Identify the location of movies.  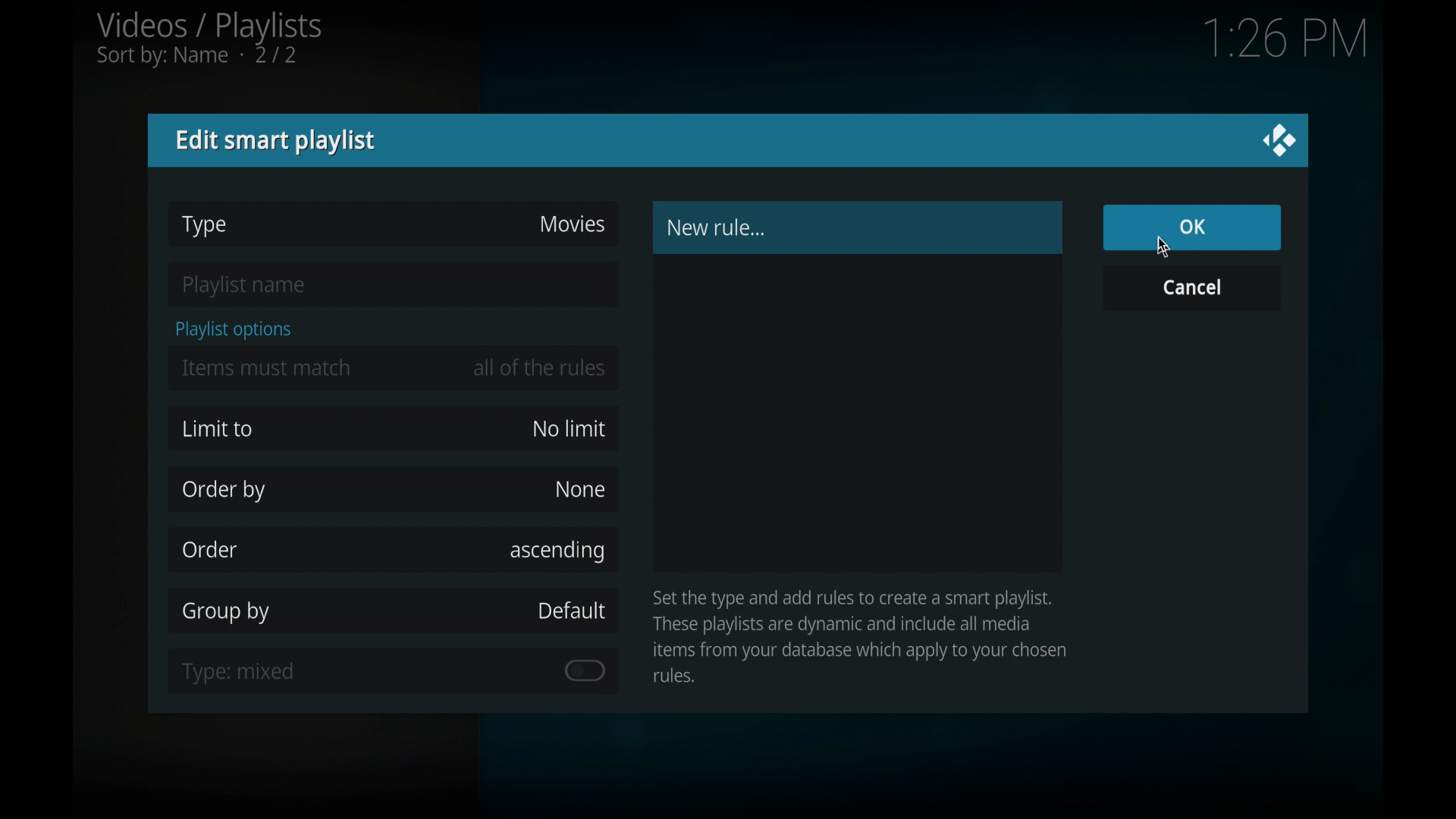
(572, 224).